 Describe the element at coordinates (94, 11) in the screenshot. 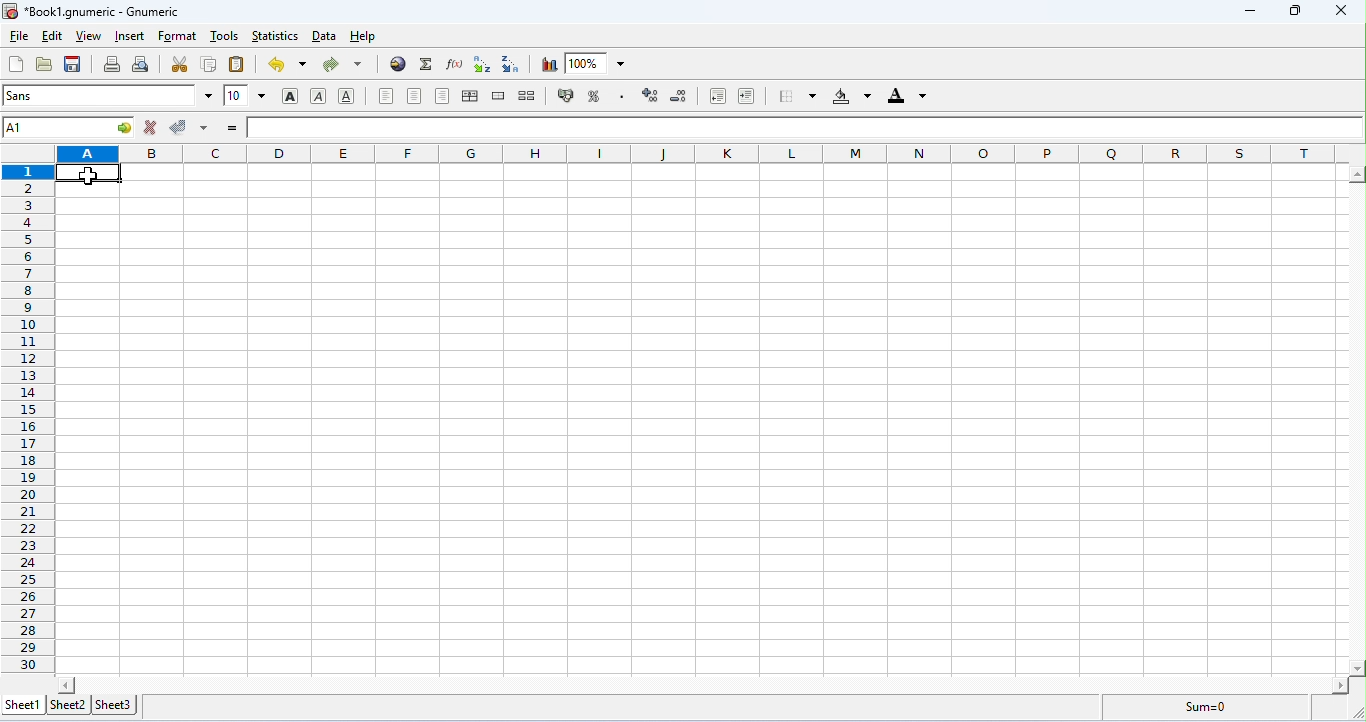

I see `title` at that location.